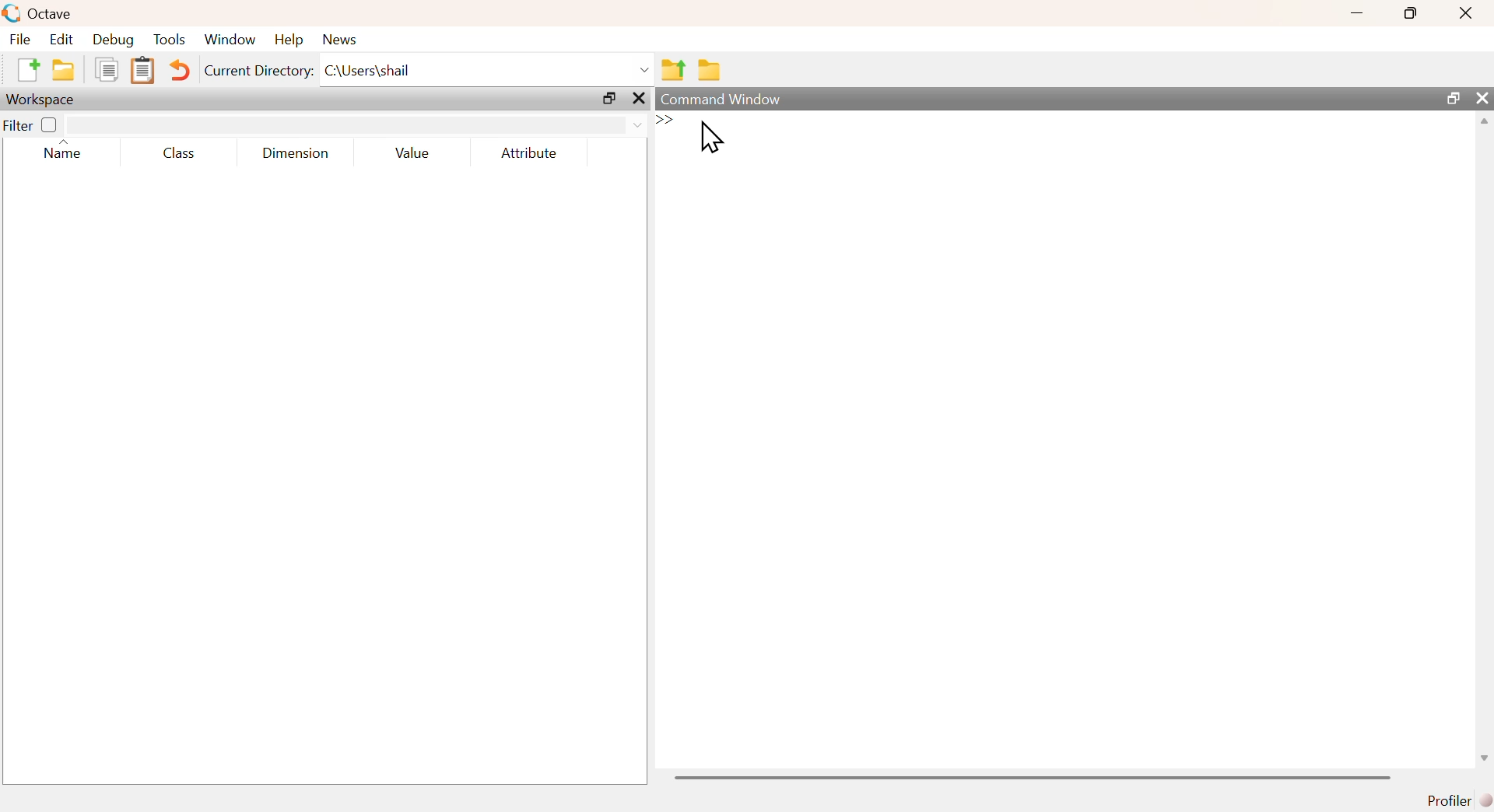  I want to click on octave, so click(39, 12).